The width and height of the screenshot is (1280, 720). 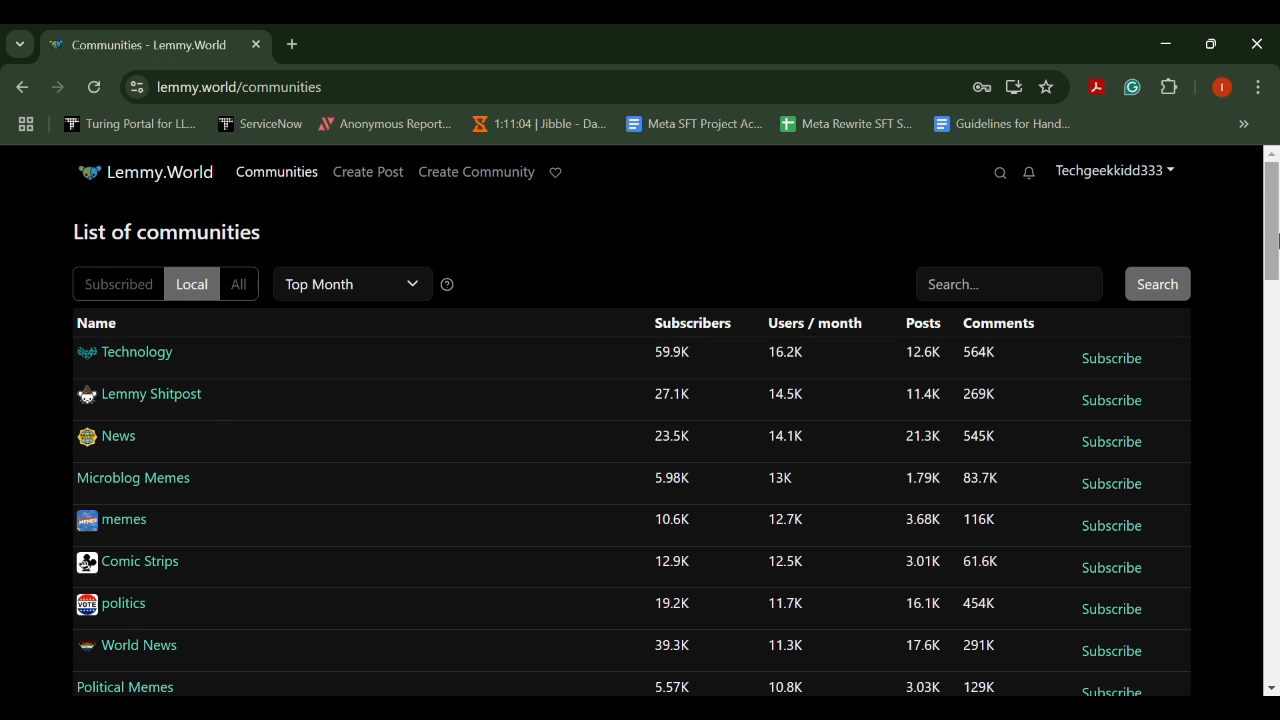 What do you see at coordinates (1113, 568) in the screenshot?
I see `Subscribe` at bounding box center [1113, 568].